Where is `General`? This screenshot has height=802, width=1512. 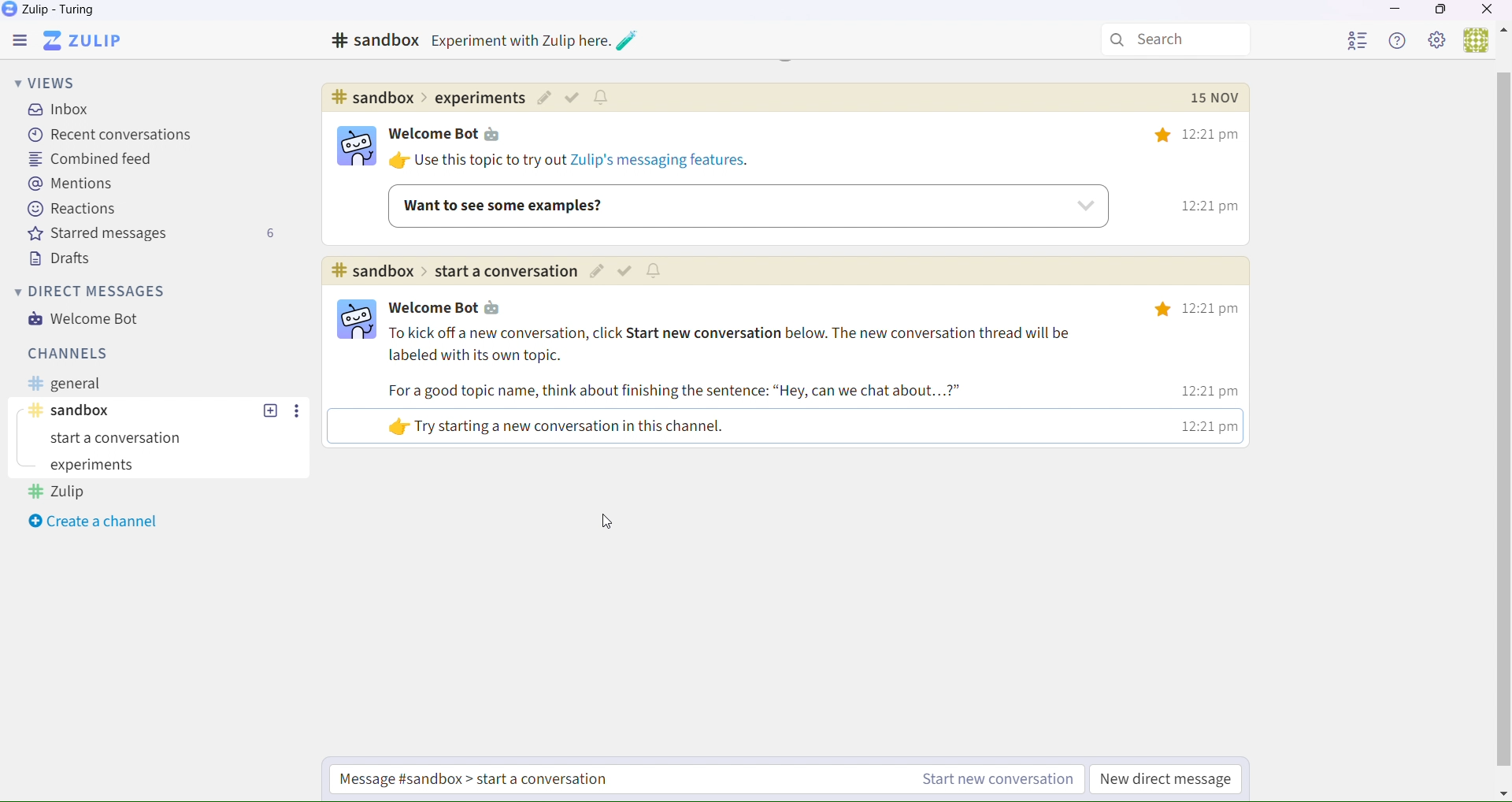
General is located at coordinates (79, 384).